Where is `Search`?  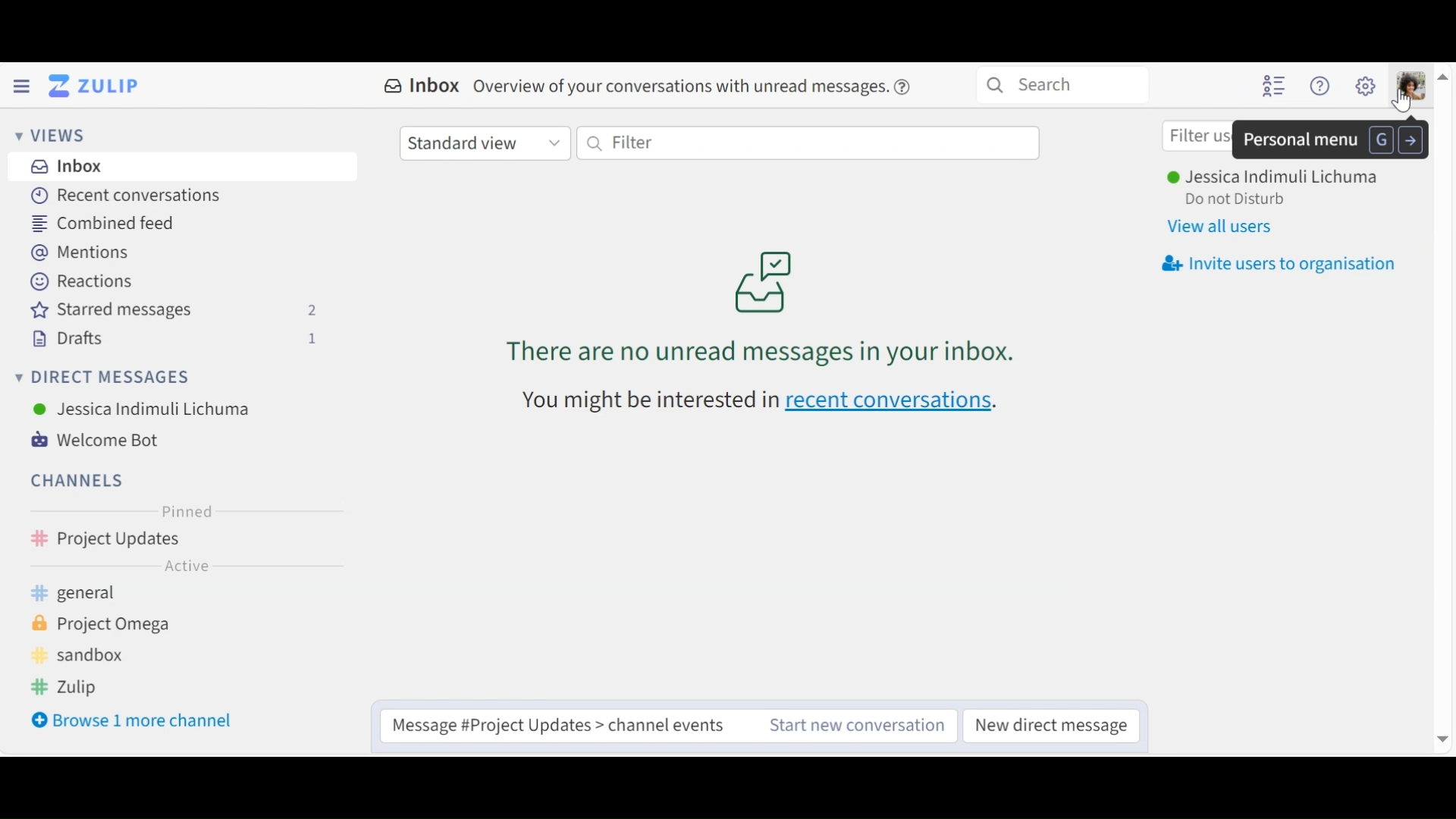
Search is located at coordinates (1062, 85).